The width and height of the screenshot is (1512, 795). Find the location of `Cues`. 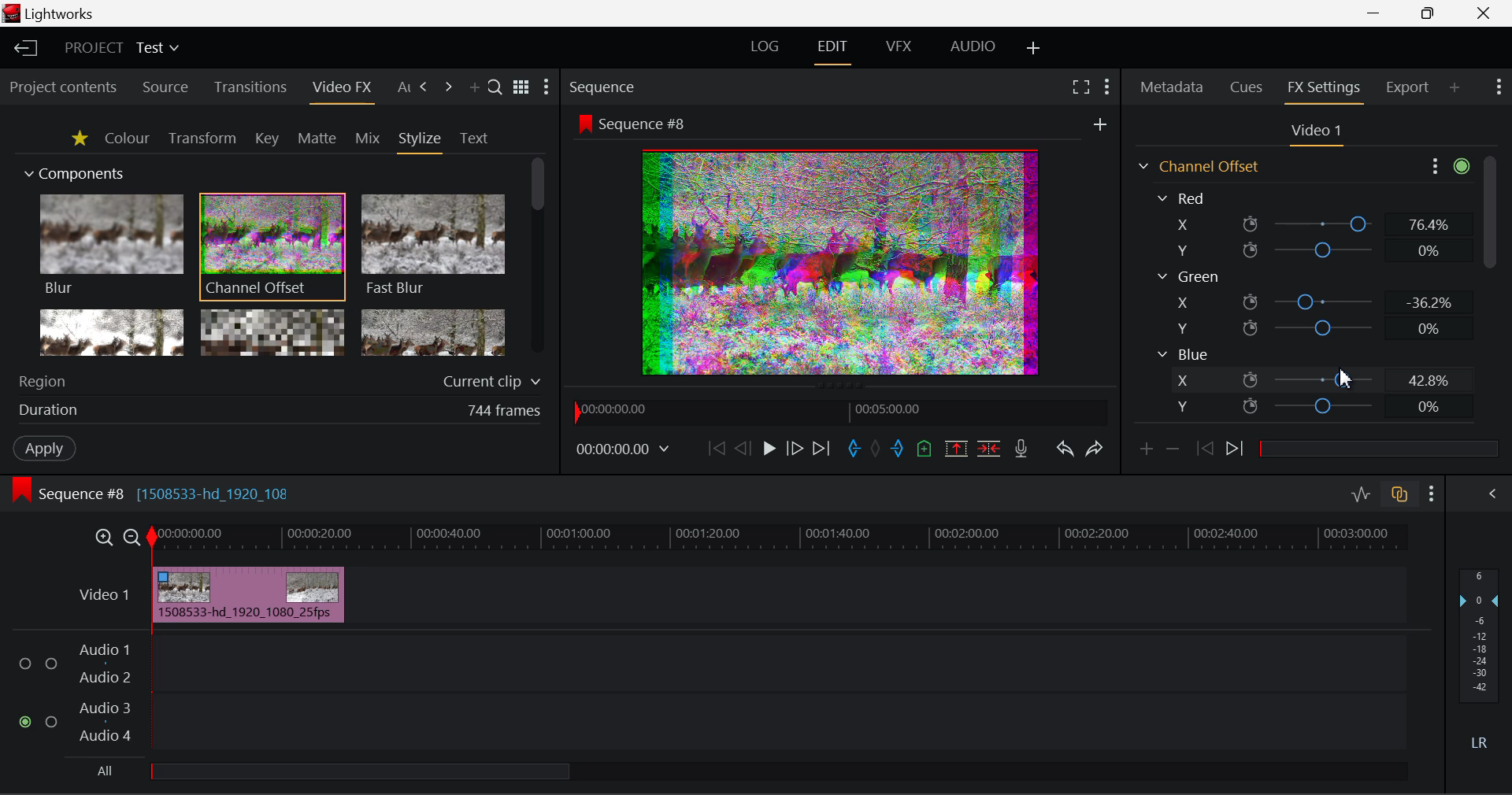

Cues is located at coordinates (1246, 87).